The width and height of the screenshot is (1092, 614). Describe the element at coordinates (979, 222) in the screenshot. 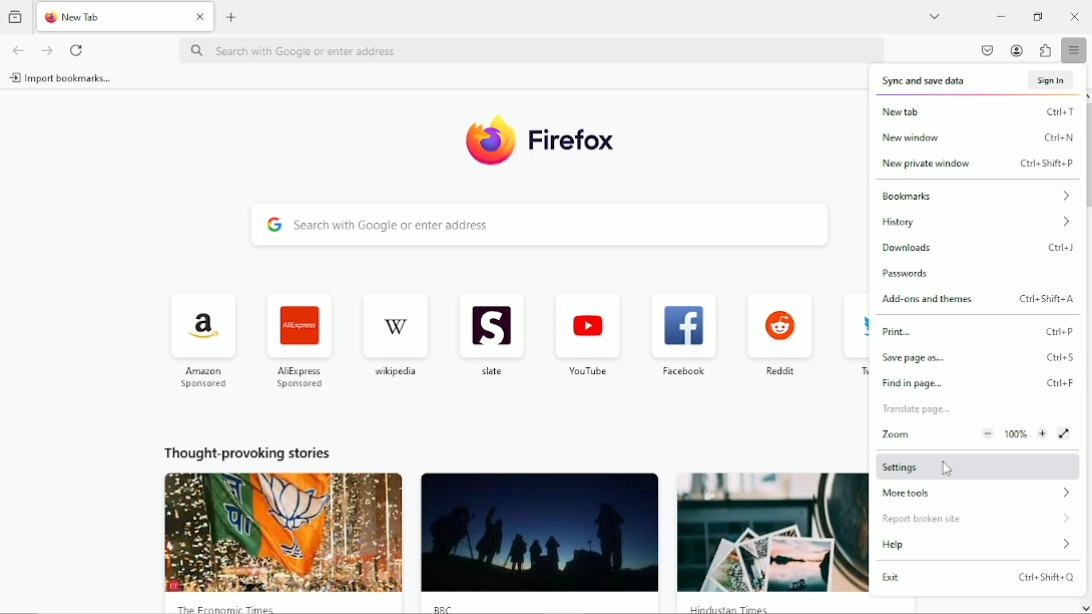

I see `history` at that location.